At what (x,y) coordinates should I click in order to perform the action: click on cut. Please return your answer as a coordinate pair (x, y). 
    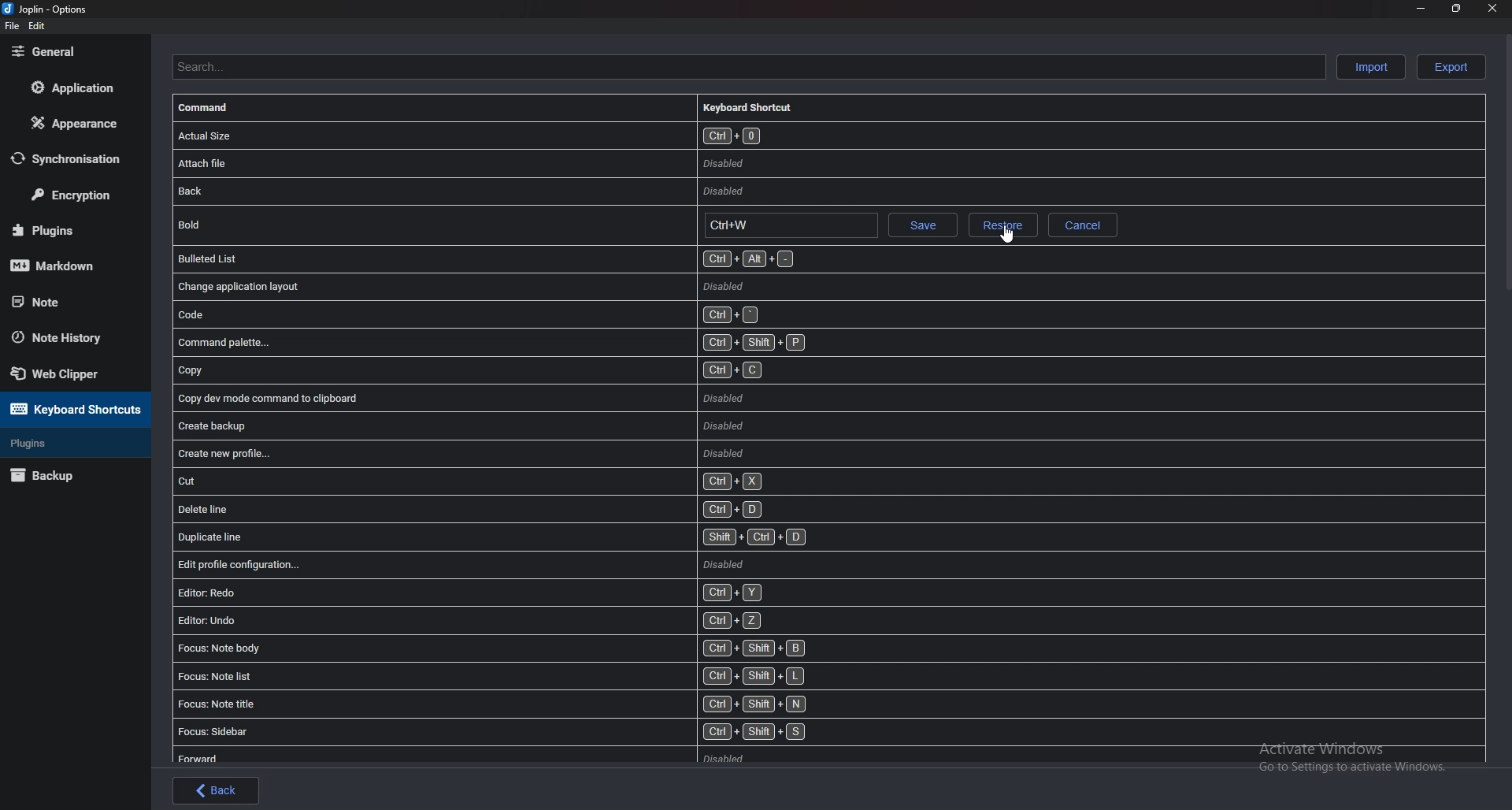
    Looking at the image, I should click on (480, 481).